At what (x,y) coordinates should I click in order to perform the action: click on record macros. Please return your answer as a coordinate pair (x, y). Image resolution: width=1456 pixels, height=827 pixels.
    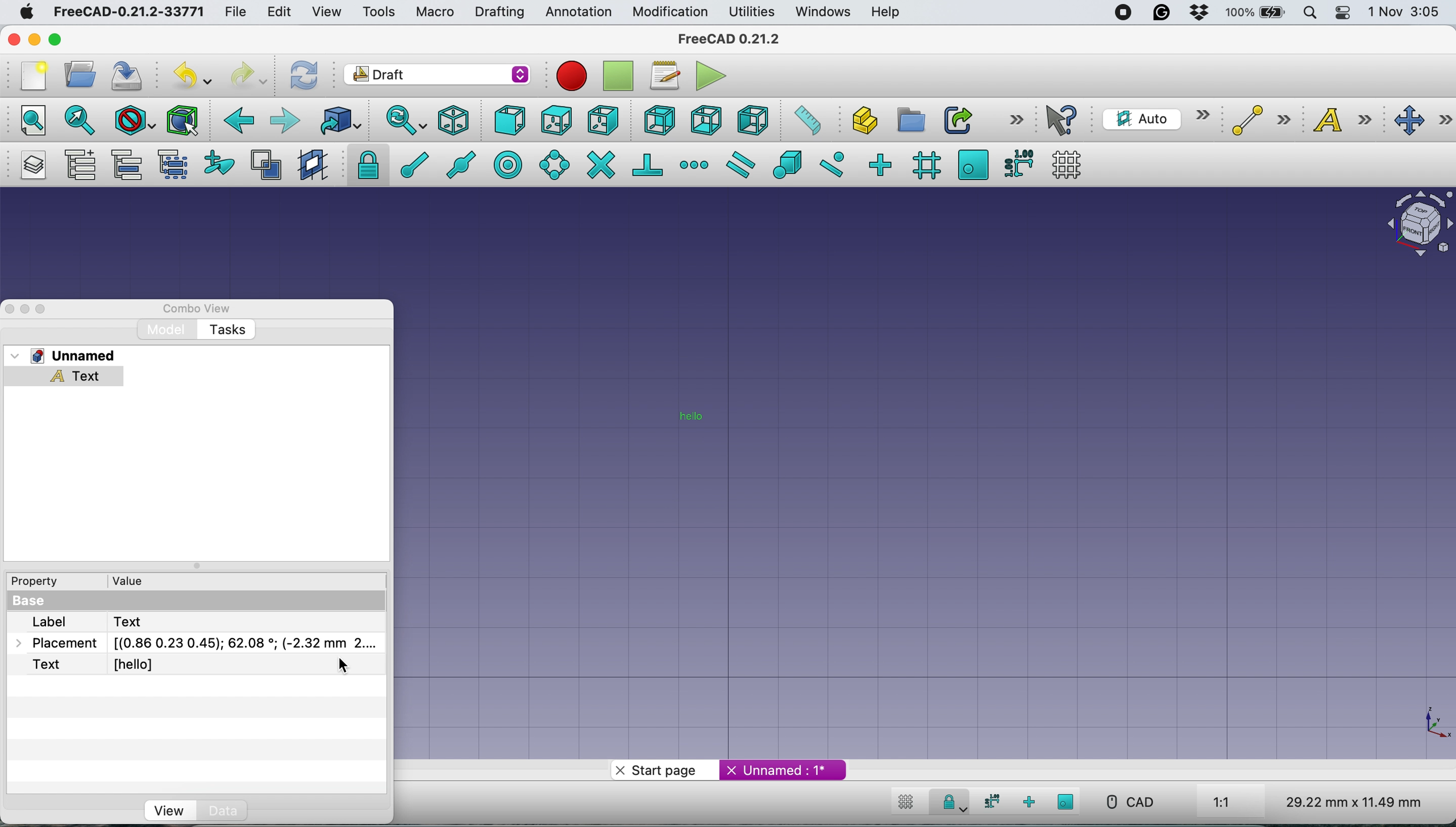
    Looking at the image, I should click on (568, 76).